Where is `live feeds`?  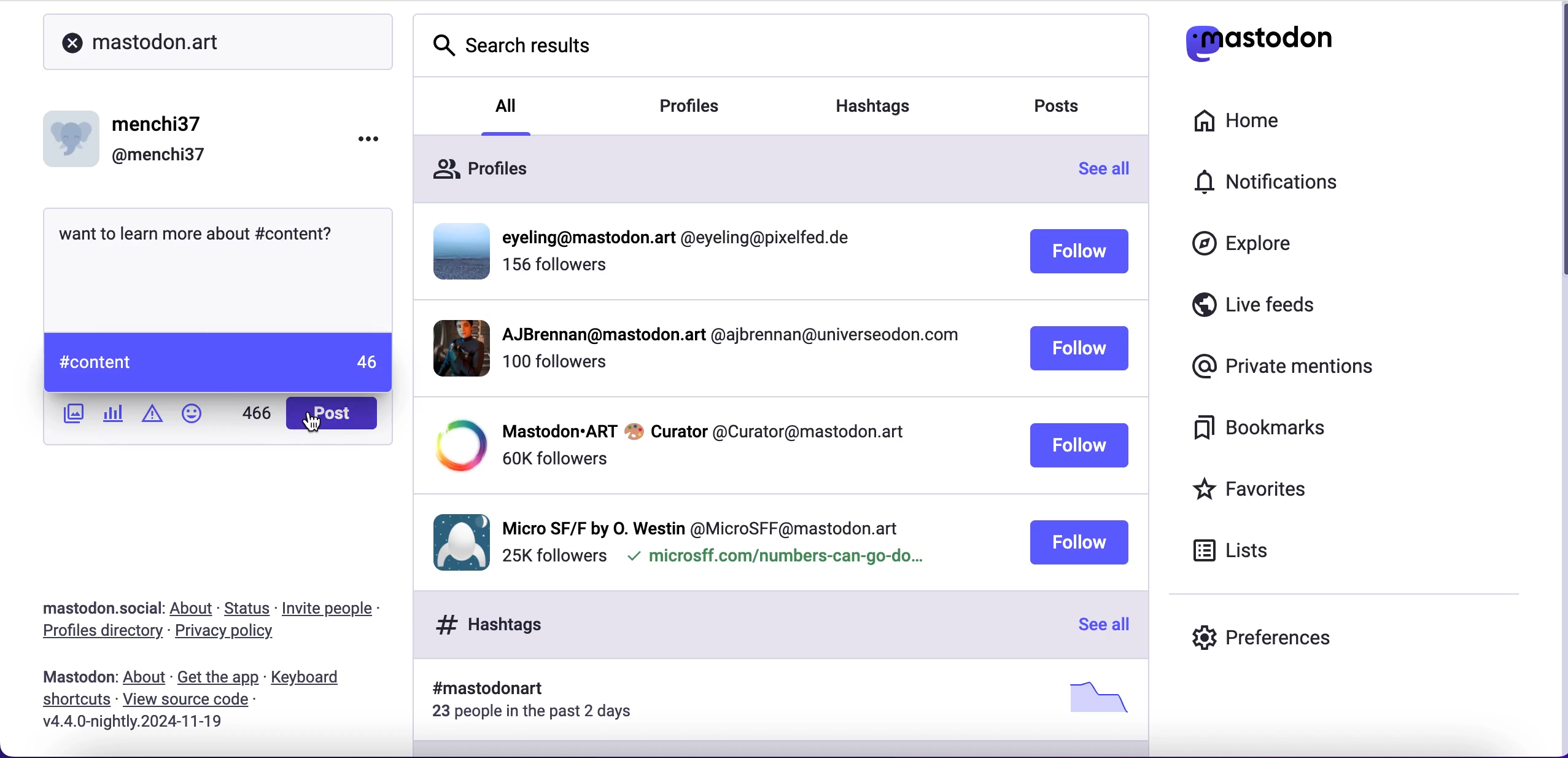 live feeds is located at coordinates (1297, 305).